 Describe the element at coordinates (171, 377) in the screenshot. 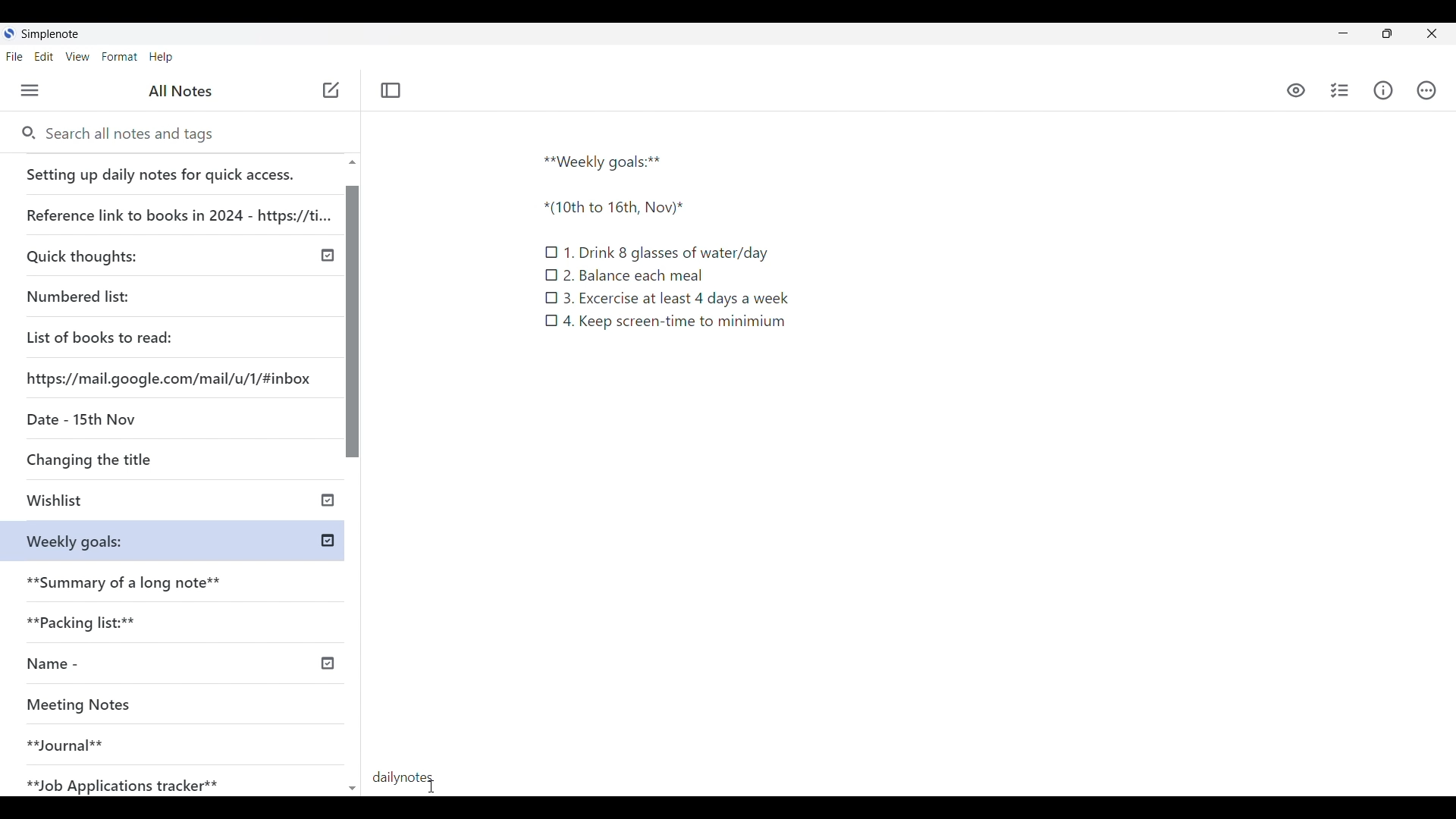

I see `Website` at that location.